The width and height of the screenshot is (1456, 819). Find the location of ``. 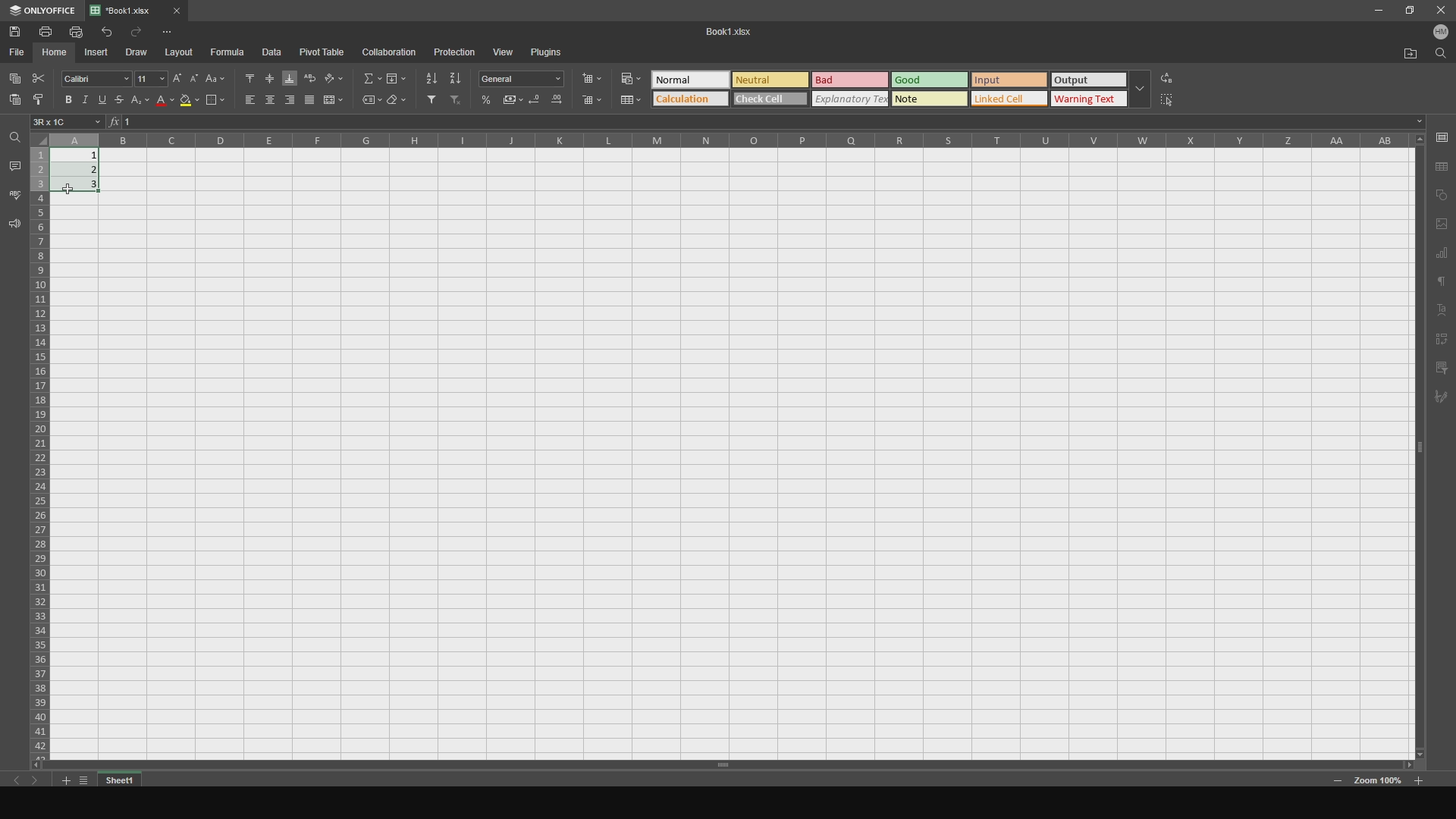

 is located at coordinates (629, 76).